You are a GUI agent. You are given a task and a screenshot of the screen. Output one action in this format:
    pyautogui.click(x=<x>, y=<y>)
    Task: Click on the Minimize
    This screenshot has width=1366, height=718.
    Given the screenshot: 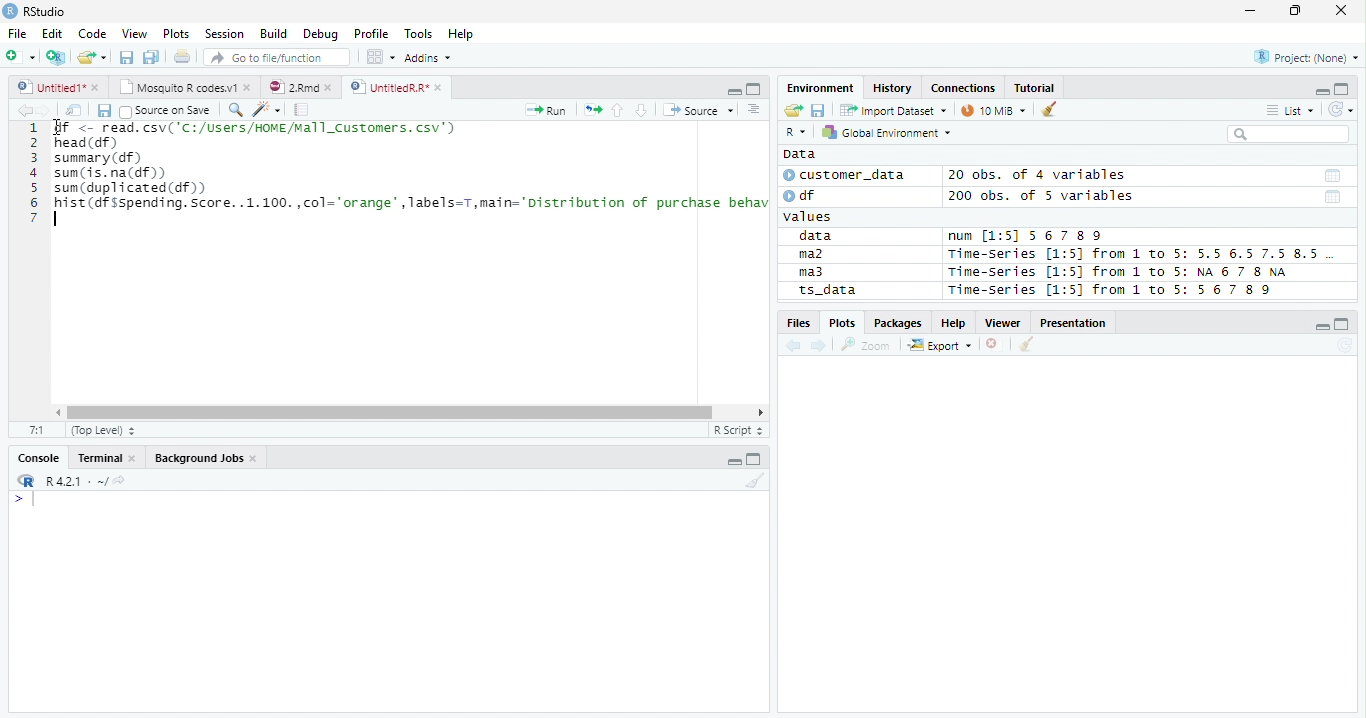 What is the action you would take?
    pyautogui.click(x=732, y=90)
    